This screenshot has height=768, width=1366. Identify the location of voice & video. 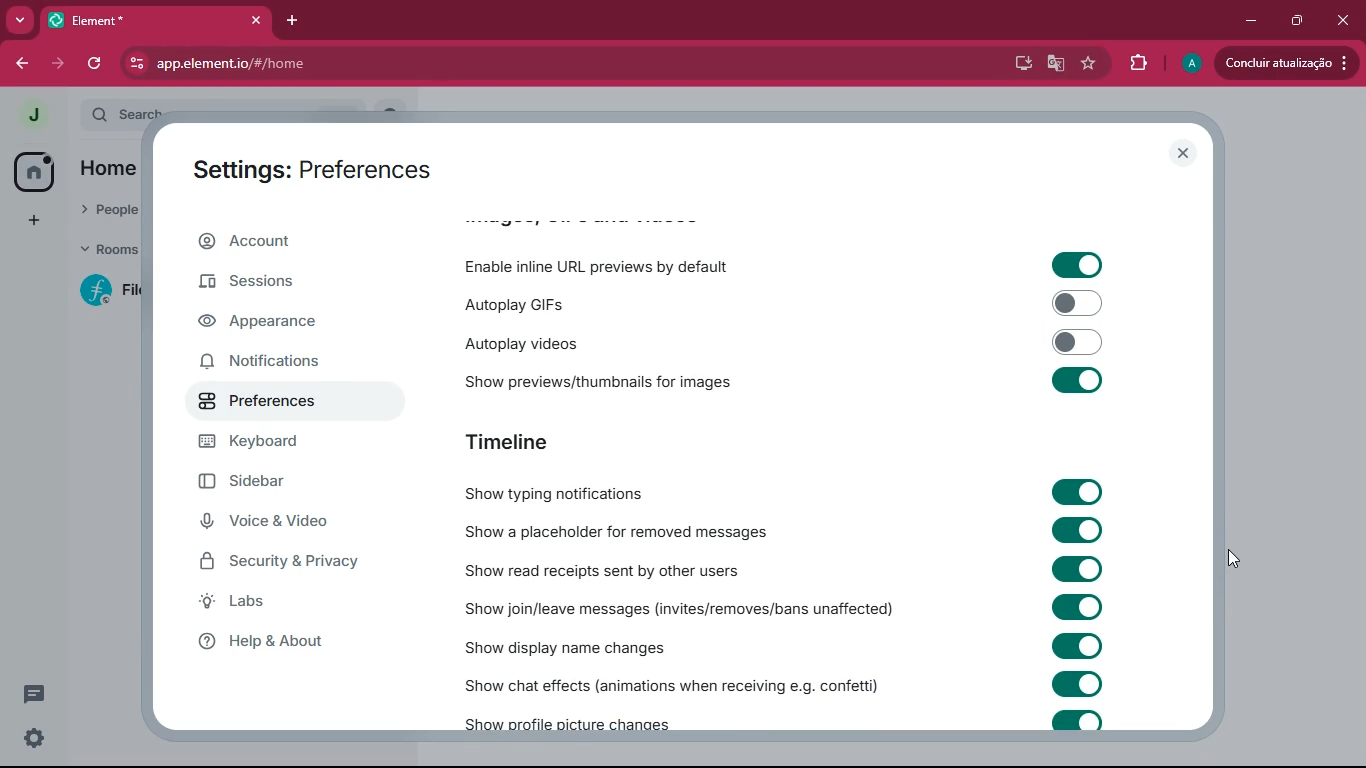
(270, 524).